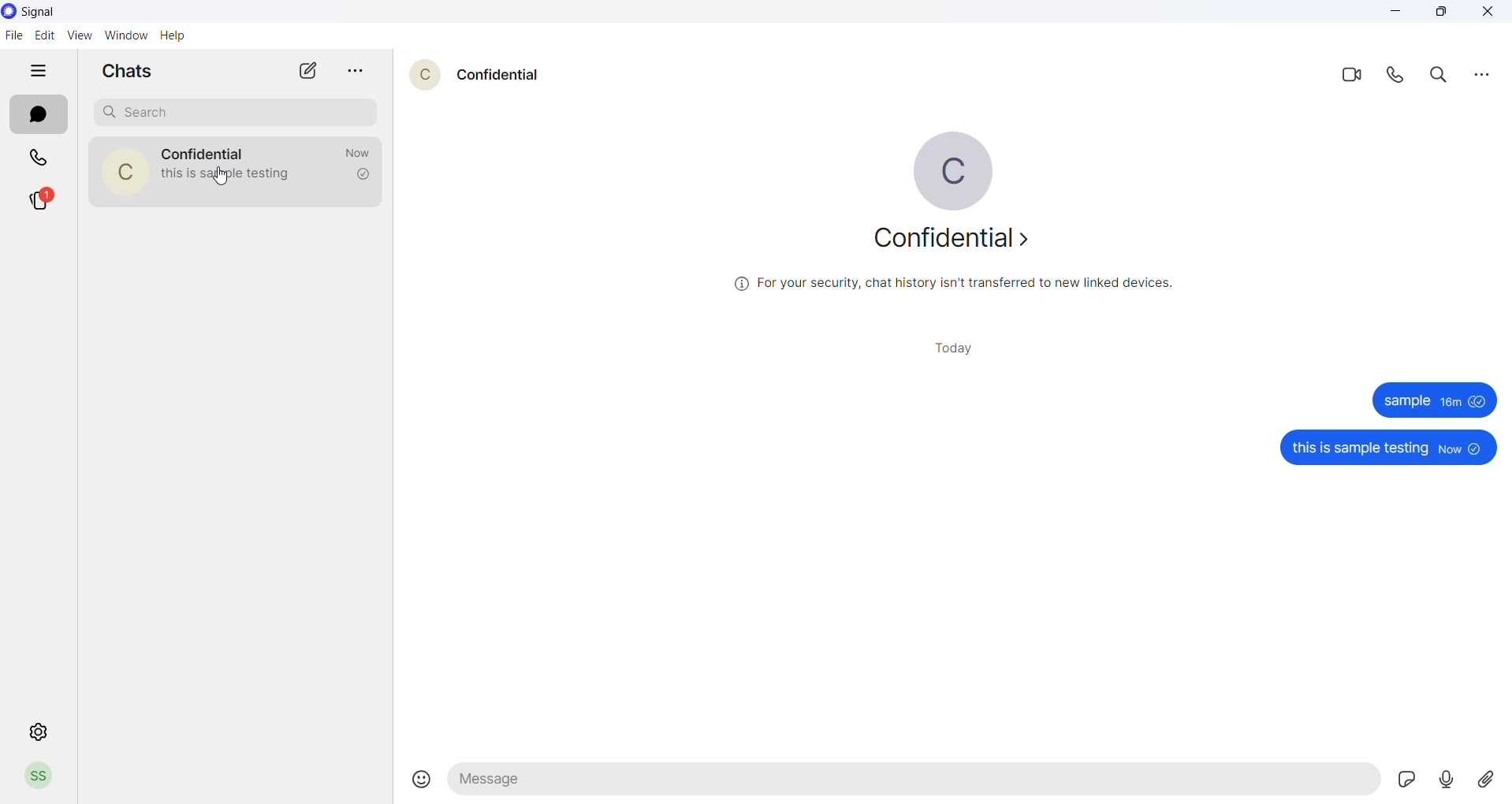  What do you see at coordinates (954, 169) in the screenshot?
I see `c` at bounding box center [954, 169].